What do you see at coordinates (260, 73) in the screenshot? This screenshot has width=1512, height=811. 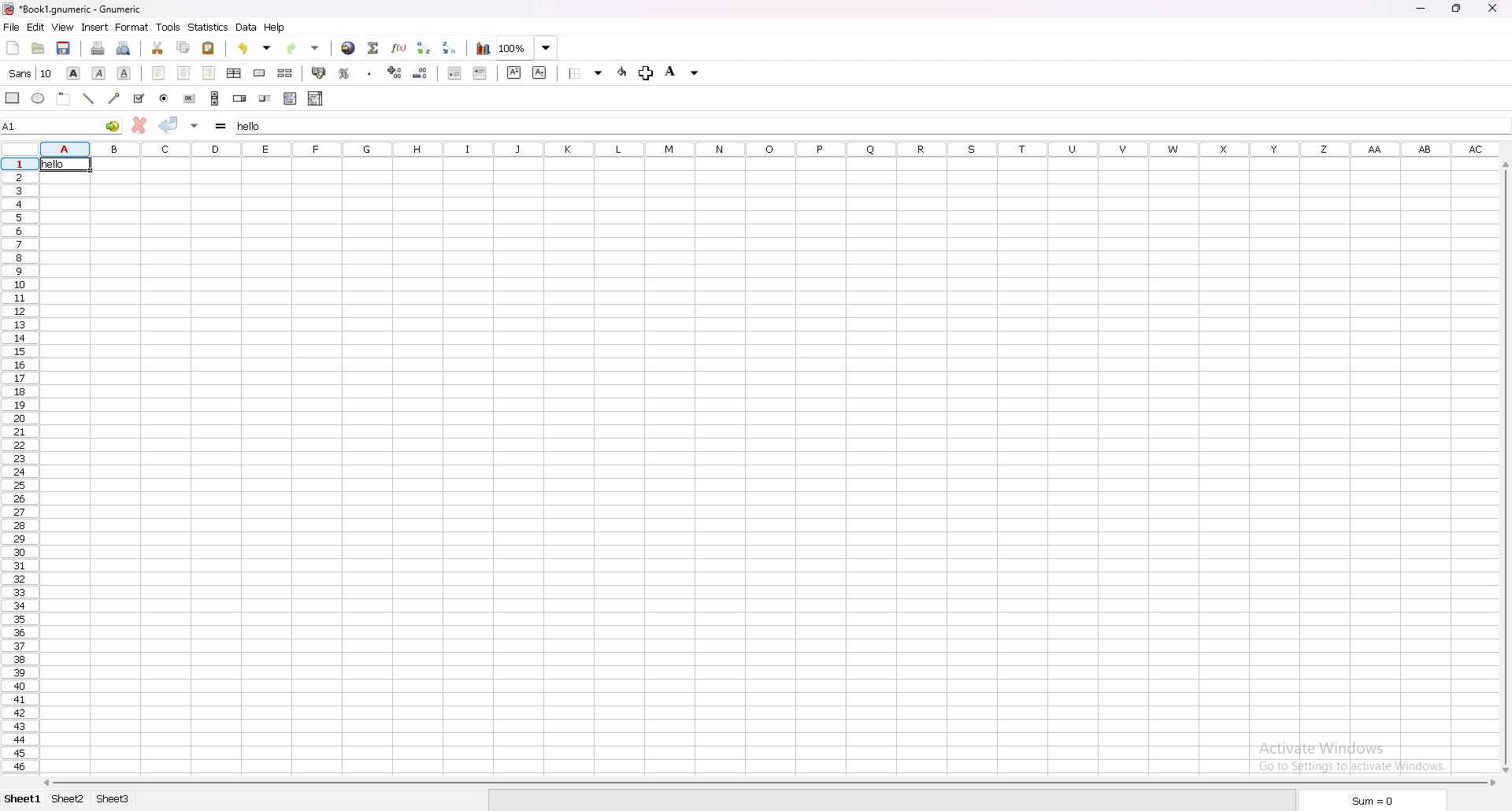 I see `merge cells` at bounding box center [260, 73].